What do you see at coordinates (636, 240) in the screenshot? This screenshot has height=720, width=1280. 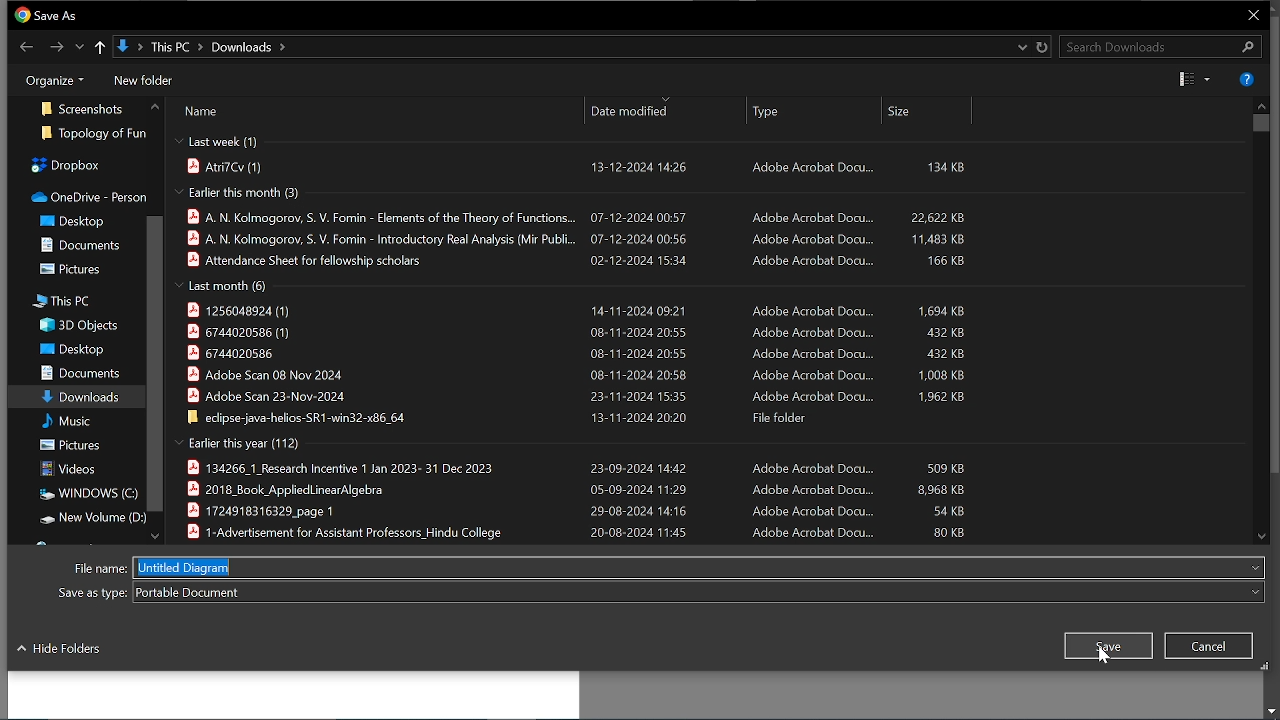 I see `07-12-2024 00:56` at bounding box center [636, 240].